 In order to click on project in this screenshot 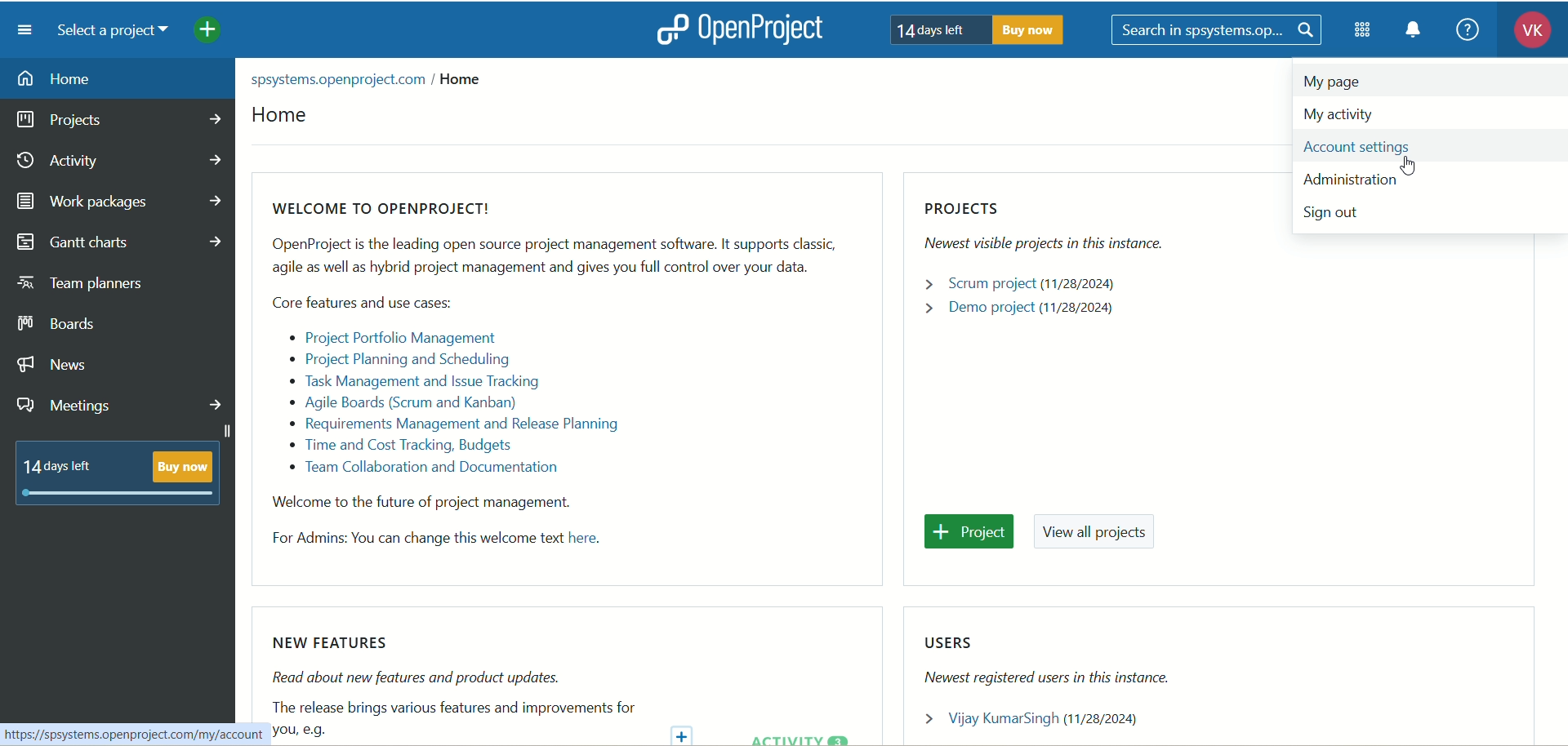, I will do `click(969, 532)`.